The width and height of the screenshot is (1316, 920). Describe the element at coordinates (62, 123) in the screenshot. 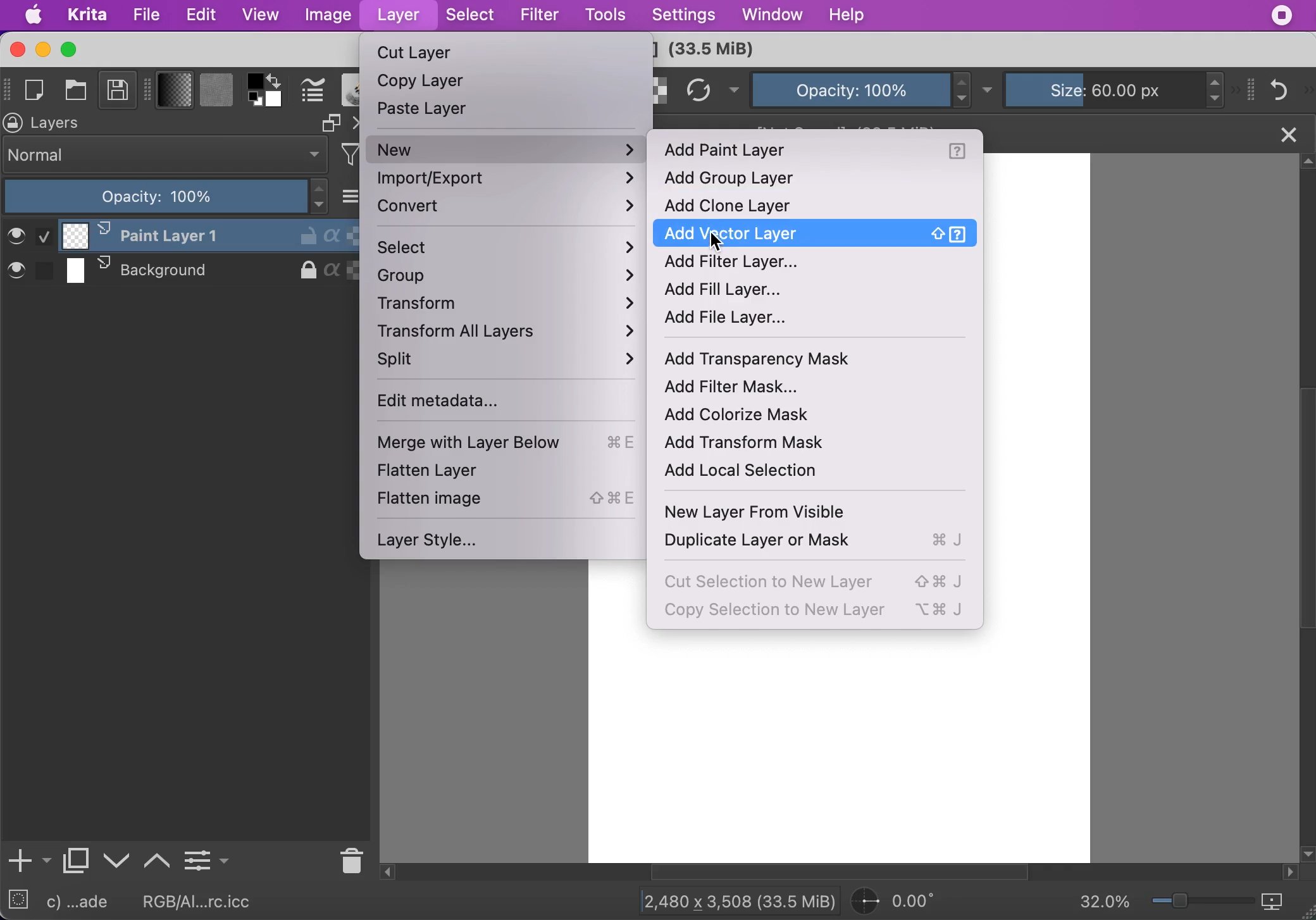

I see `layers` at that location.